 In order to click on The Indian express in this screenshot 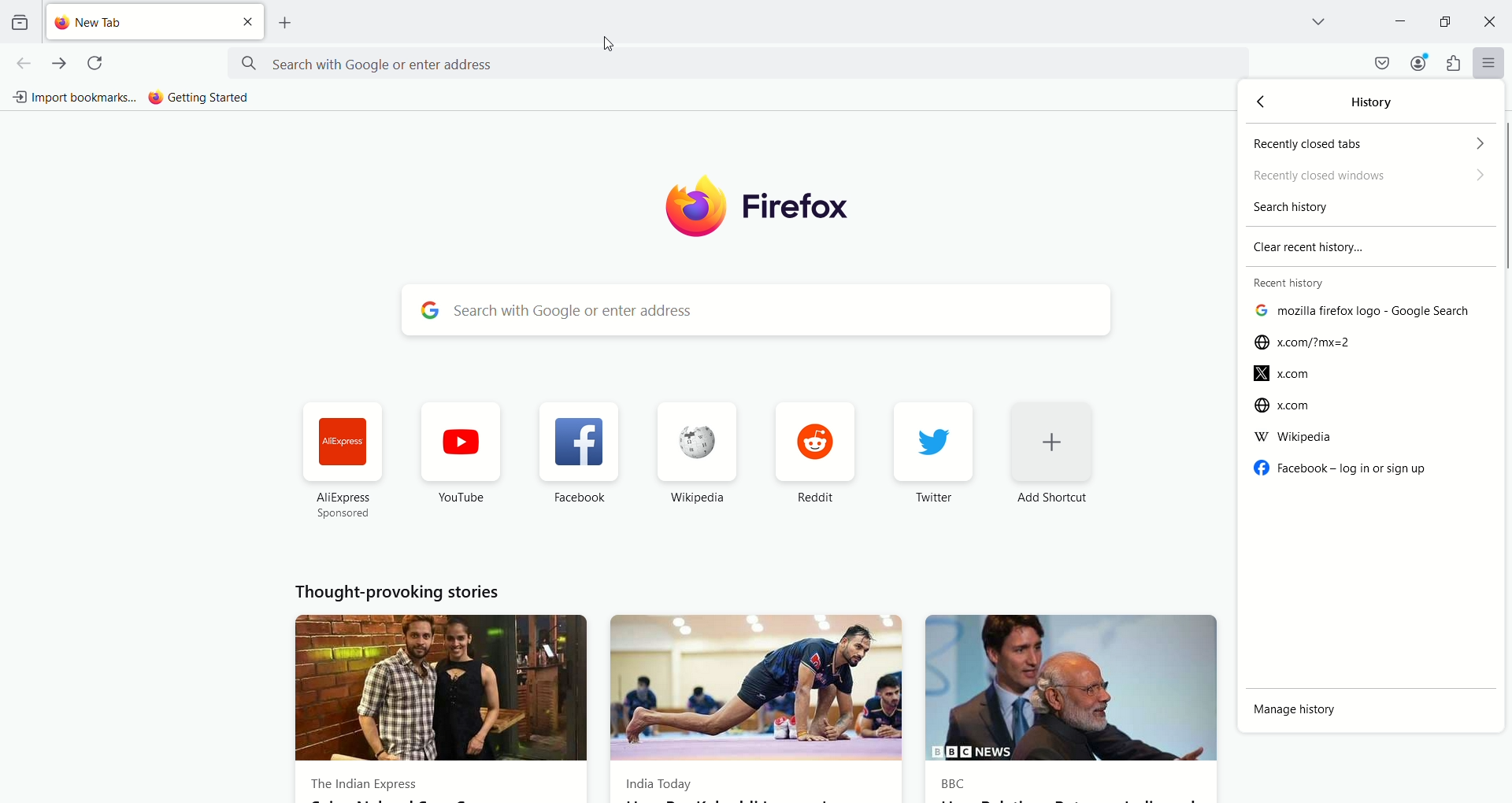, I will do `click(446, 708)`.